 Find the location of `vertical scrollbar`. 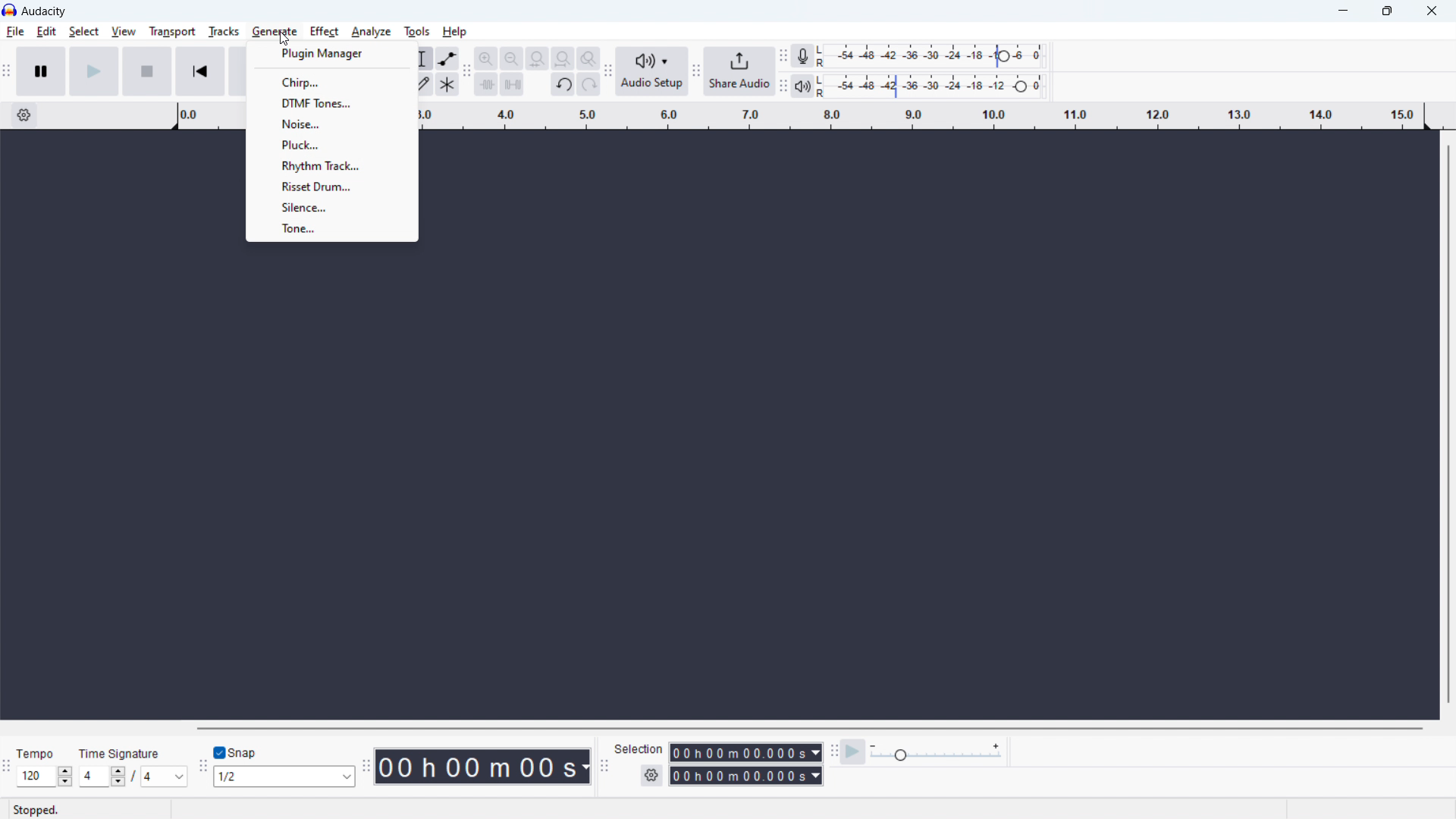

vertical scrollbar is located at coordinates (1447, 425).